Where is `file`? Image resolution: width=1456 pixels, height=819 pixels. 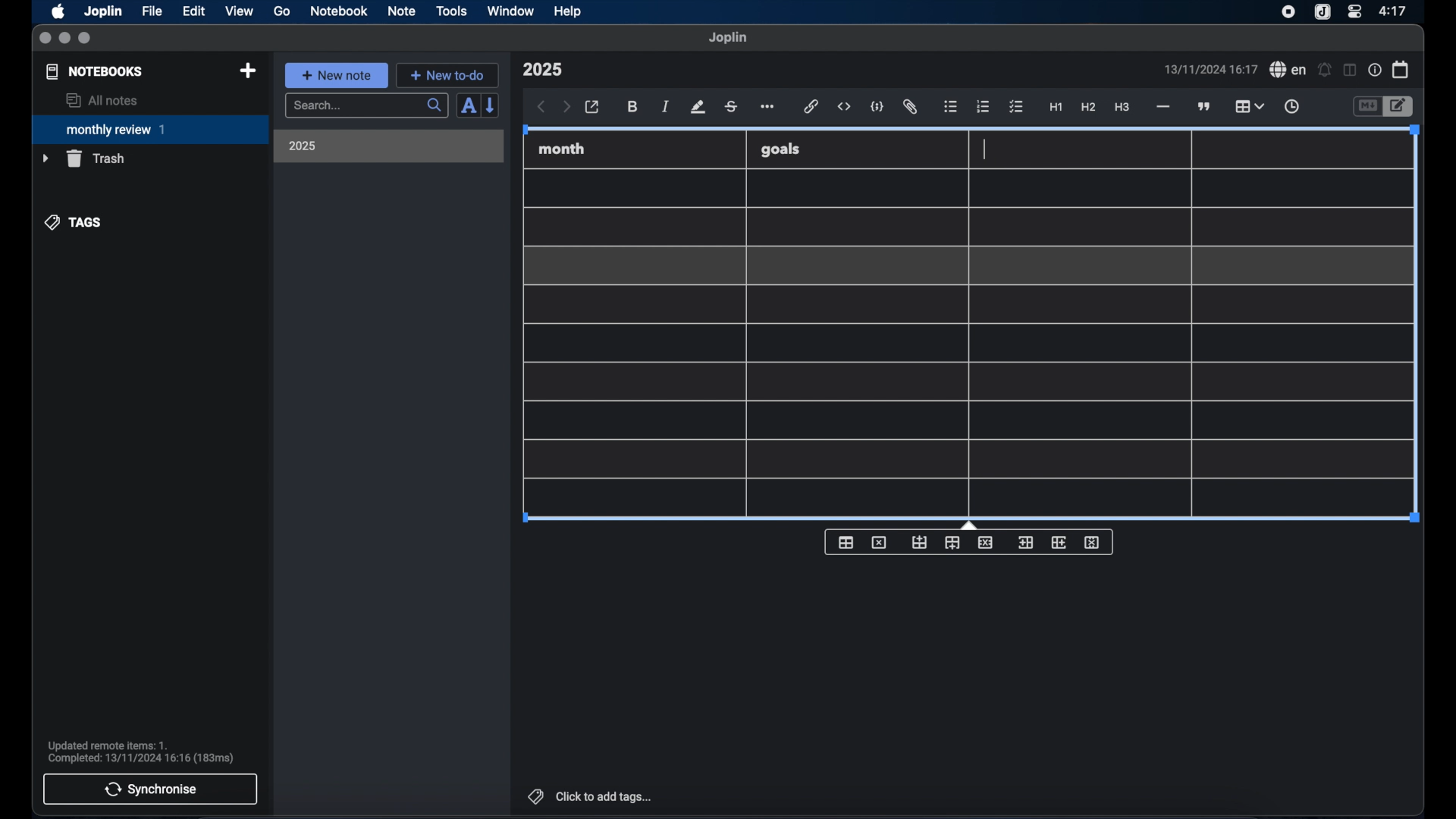
file is located at coordinates (152, 11).